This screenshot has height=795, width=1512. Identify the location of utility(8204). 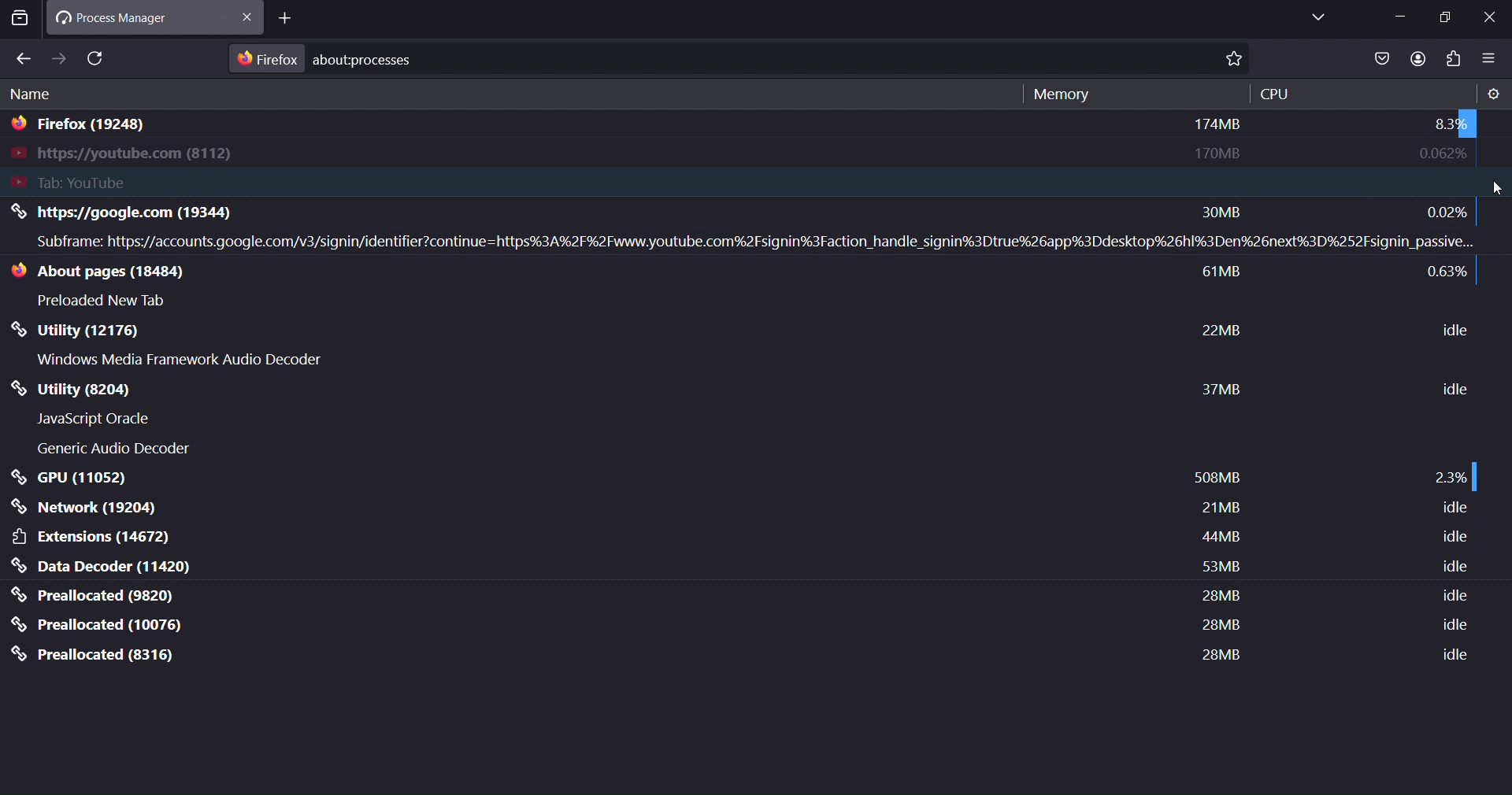
(105, 390).